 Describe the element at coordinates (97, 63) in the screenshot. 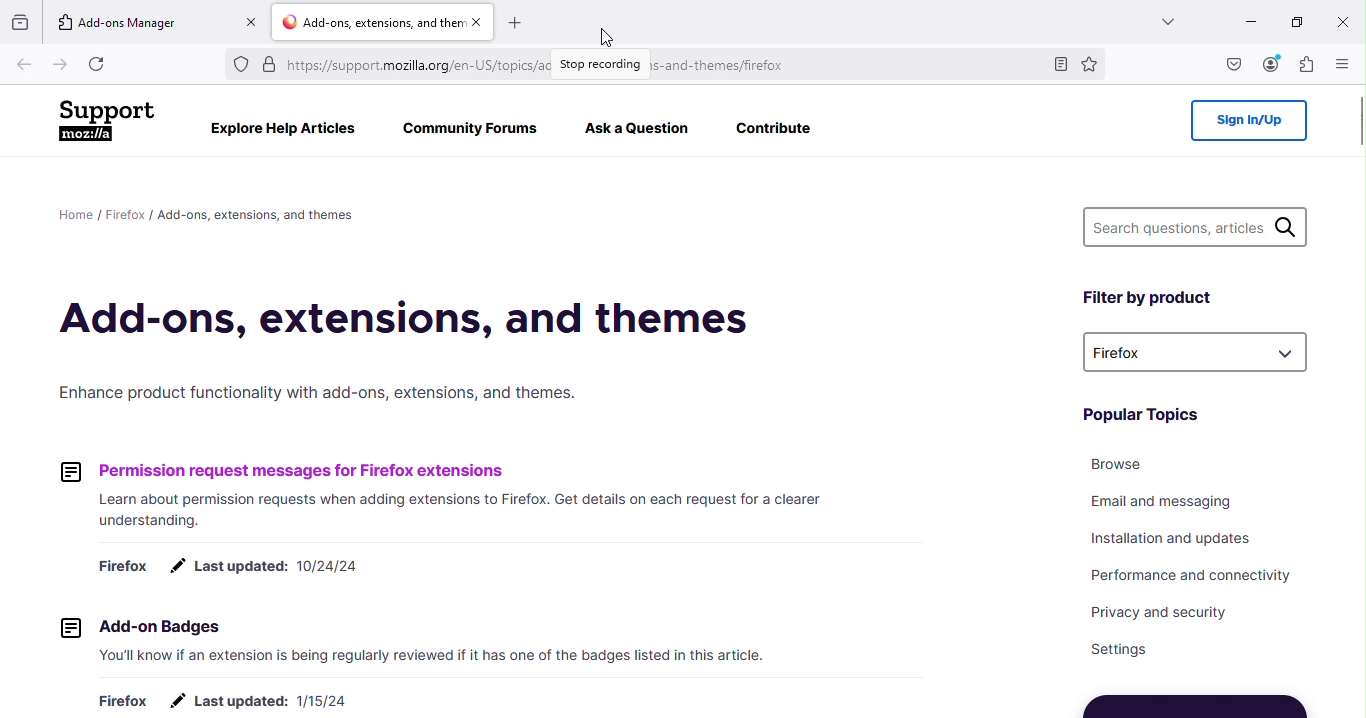

I see `Reload current page` at that location.